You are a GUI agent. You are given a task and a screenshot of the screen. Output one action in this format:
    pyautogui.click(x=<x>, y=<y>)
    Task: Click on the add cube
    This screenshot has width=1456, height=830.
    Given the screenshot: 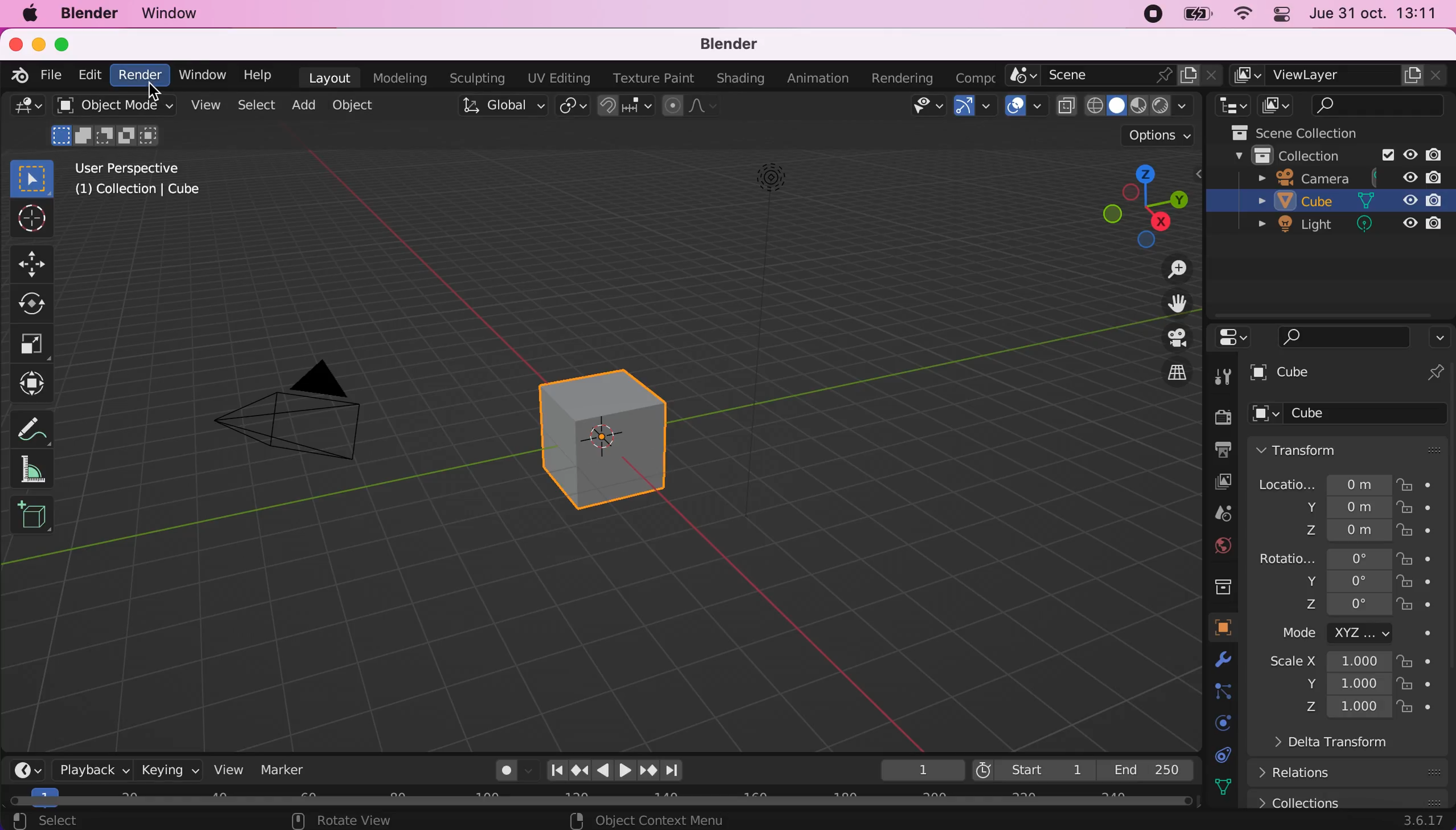 What is the action you would take?
    pyautogui.click(x=35, y=514)
    